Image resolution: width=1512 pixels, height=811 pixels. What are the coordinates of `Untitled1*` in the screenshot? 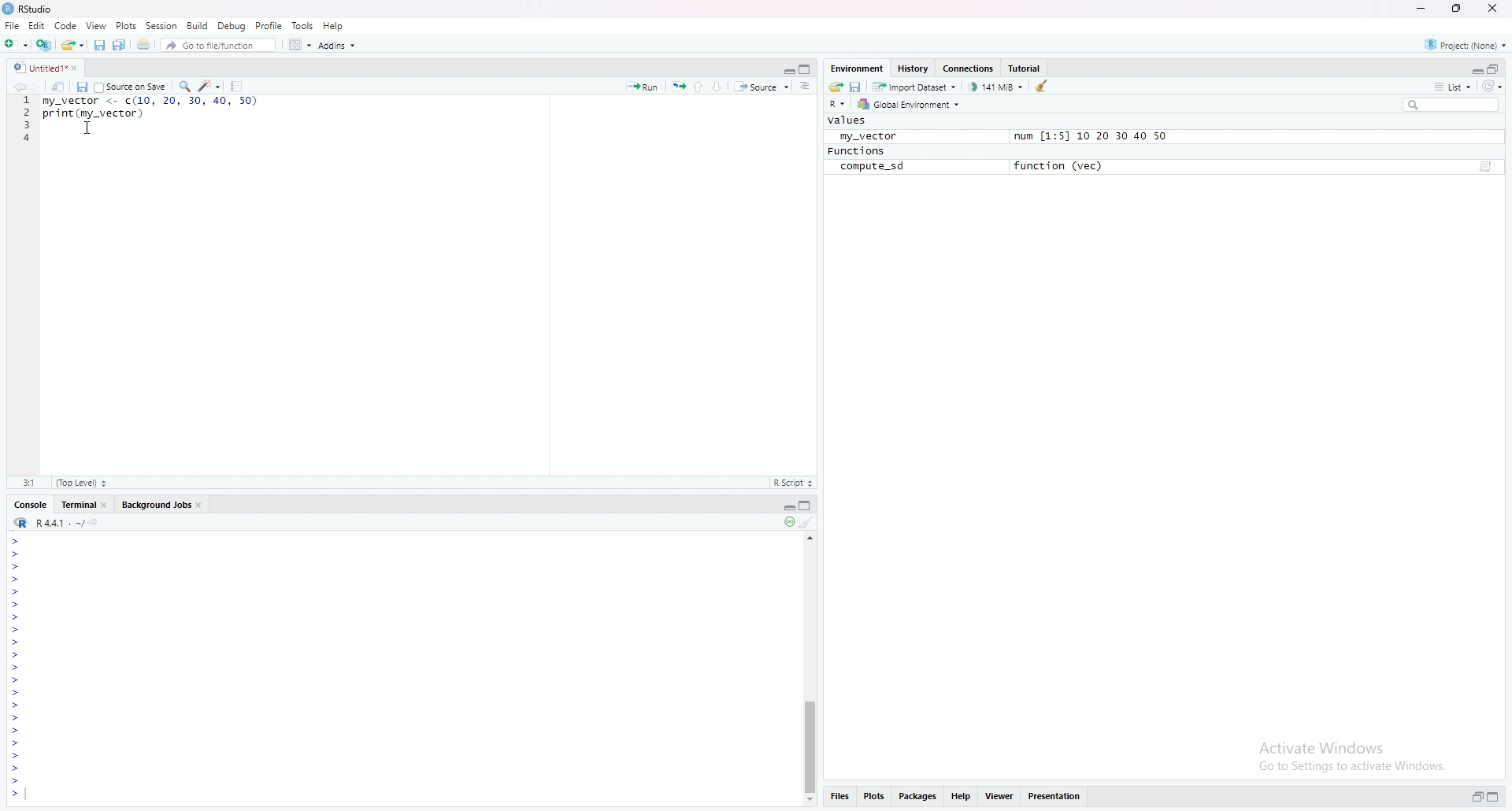 It's located at (49, 69).